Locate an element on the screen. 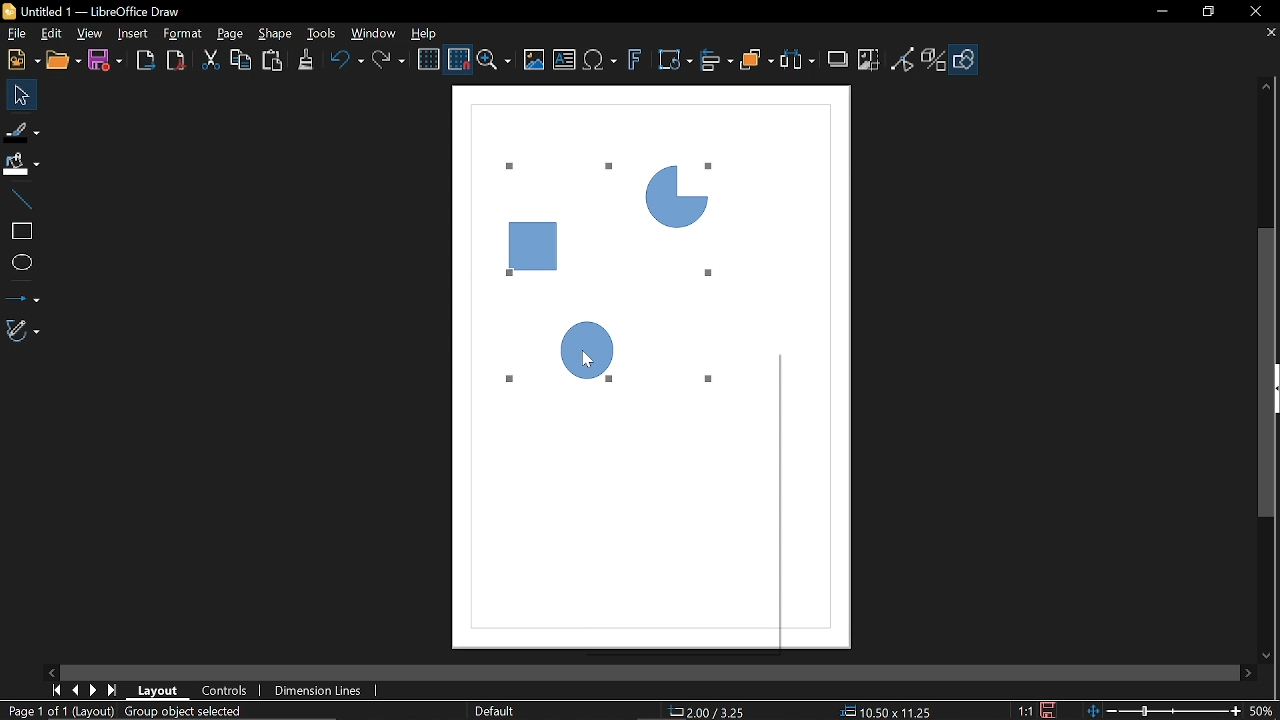 The width and height of the screenshot is (1280, 720). Position  is located at coordinates (713, 711).